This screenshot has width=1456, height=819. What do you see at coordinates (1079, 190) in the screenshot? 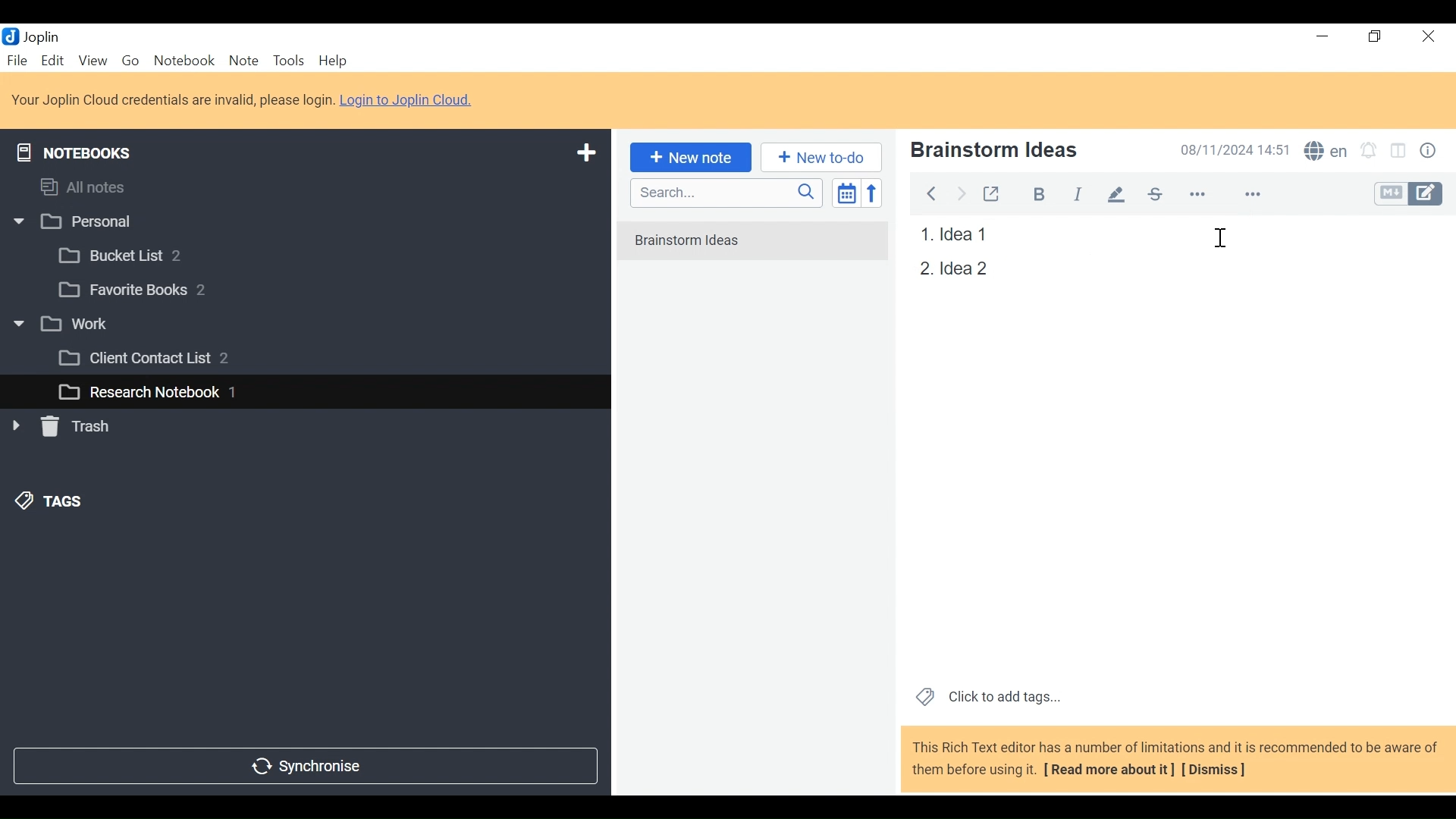
I see `italiac` at bounding box center [1079, 190].